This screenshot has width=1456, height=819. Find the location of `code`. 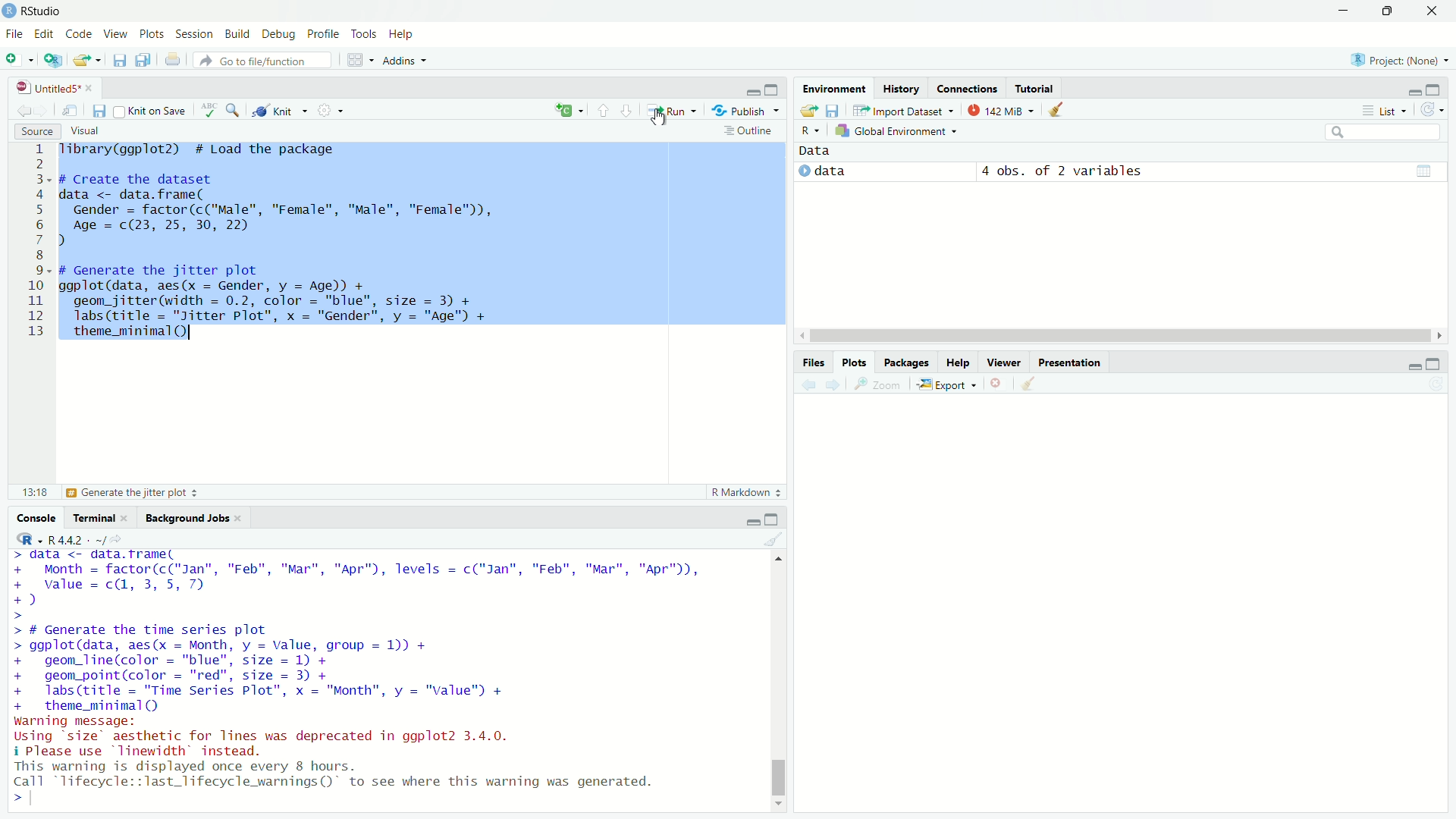

code is located at coordinates (77, 33).